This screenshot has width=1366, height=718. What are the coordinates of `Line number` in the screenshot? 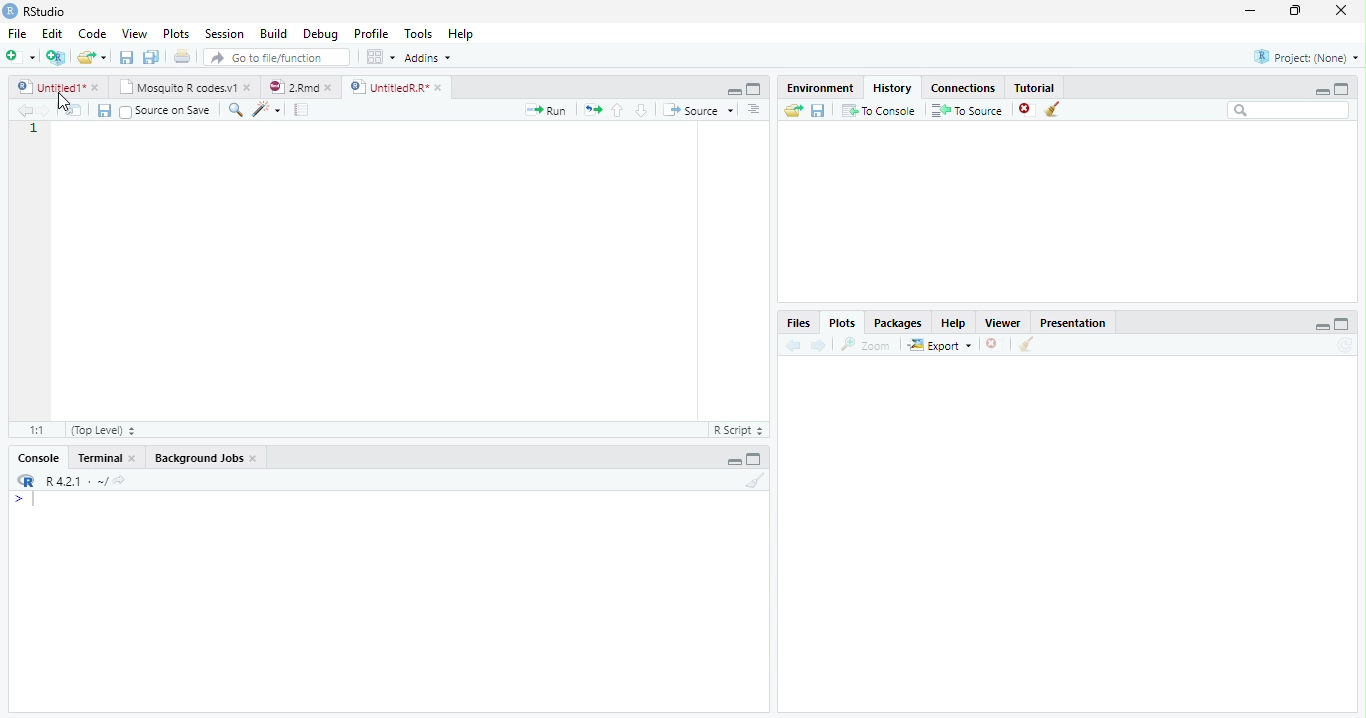 It's located at (34, 130).